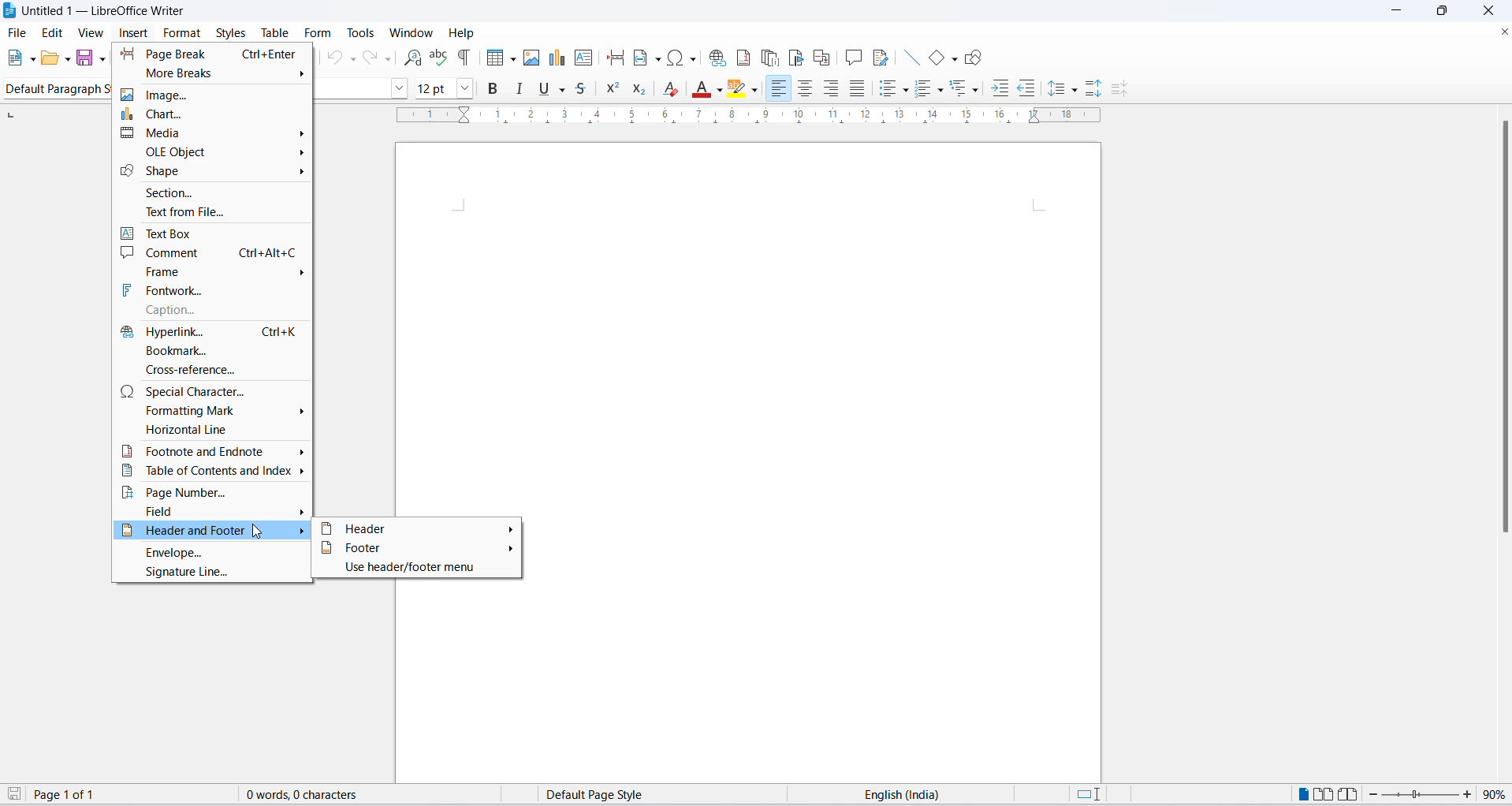  I want to click on zoom slider, so click(1417, 797).